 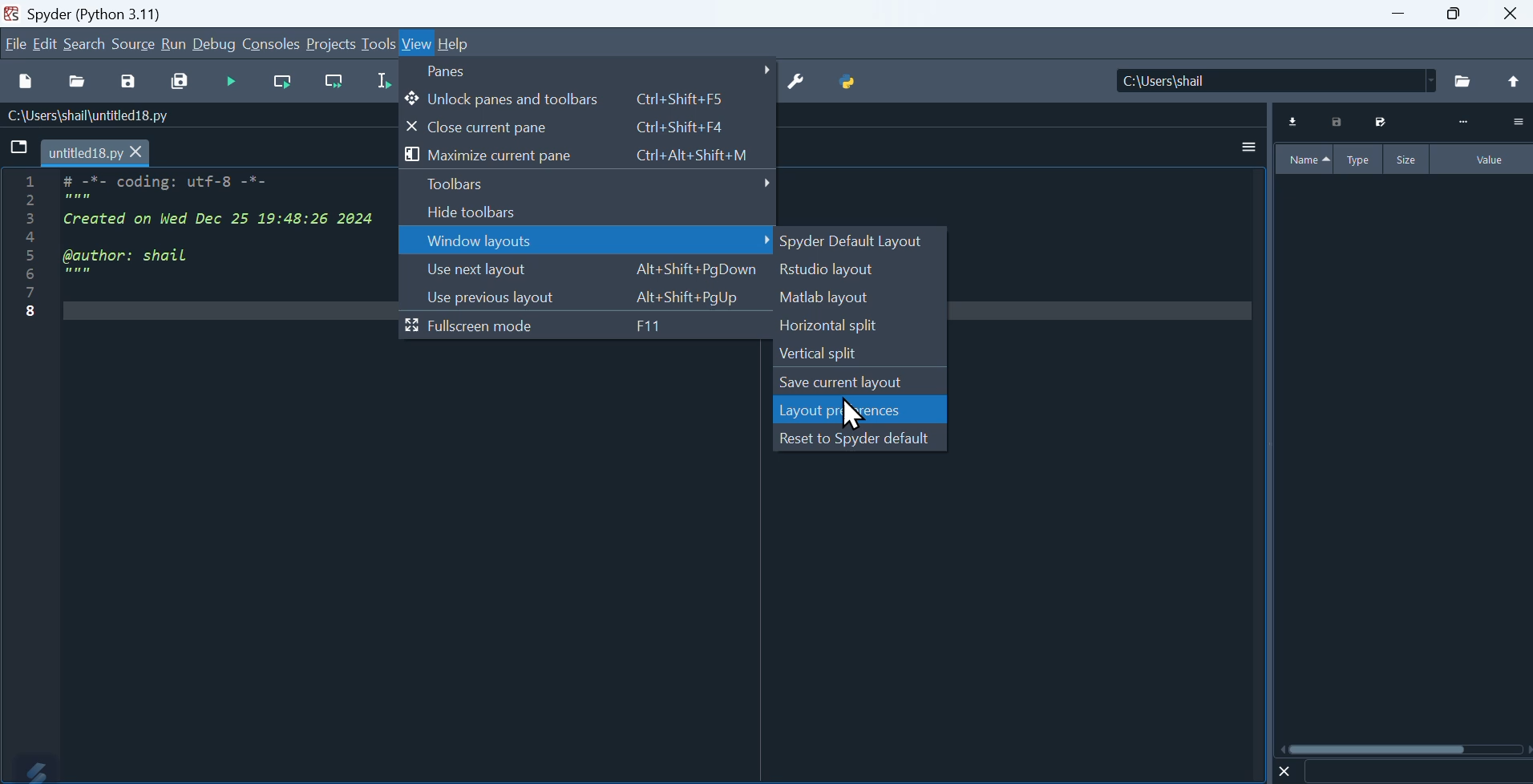 I want to click on Vertical split, so click(x=856, y=354).